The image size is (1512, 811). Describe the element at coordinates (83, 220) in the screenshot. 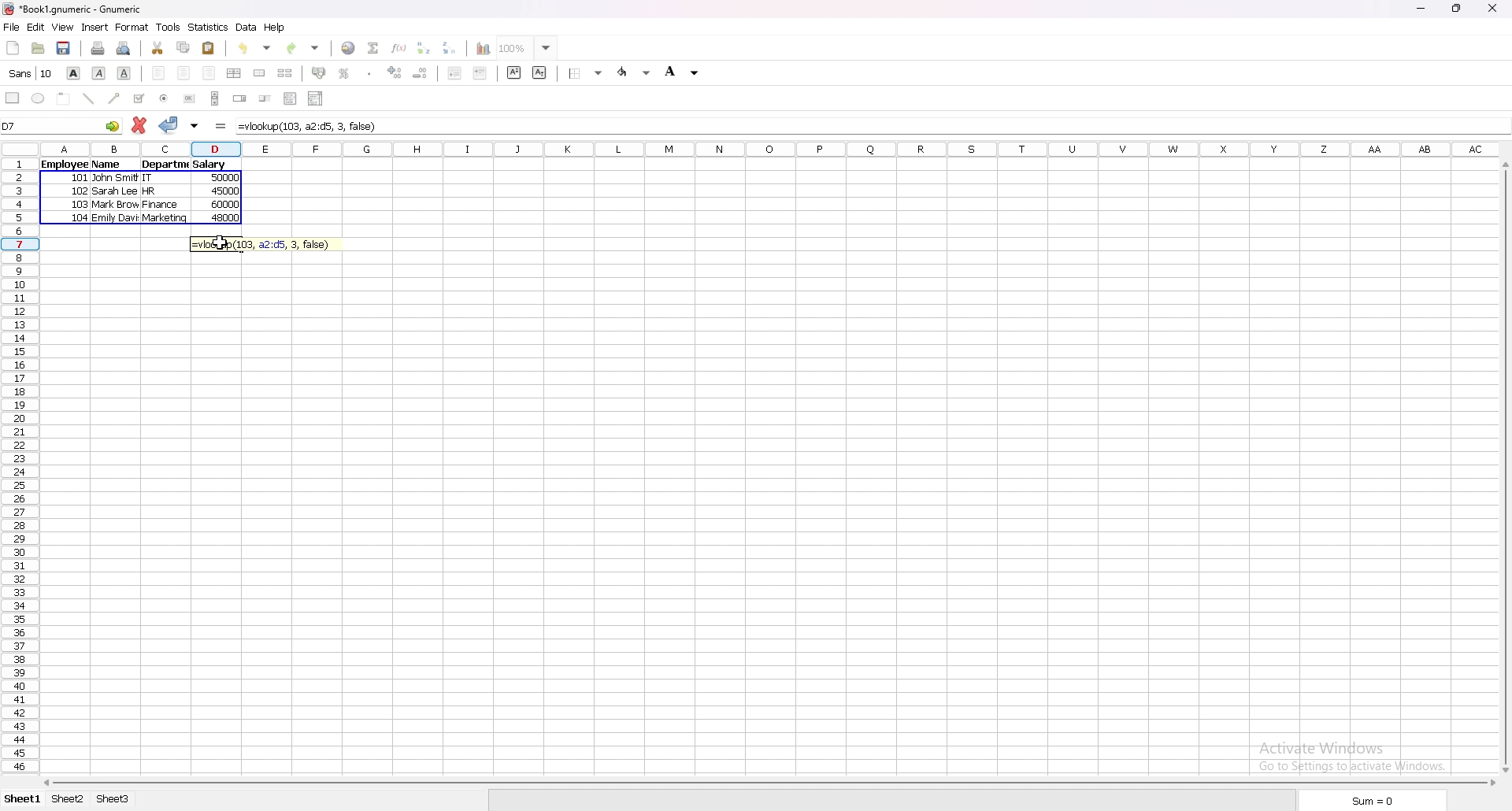

I see `104` at that location.